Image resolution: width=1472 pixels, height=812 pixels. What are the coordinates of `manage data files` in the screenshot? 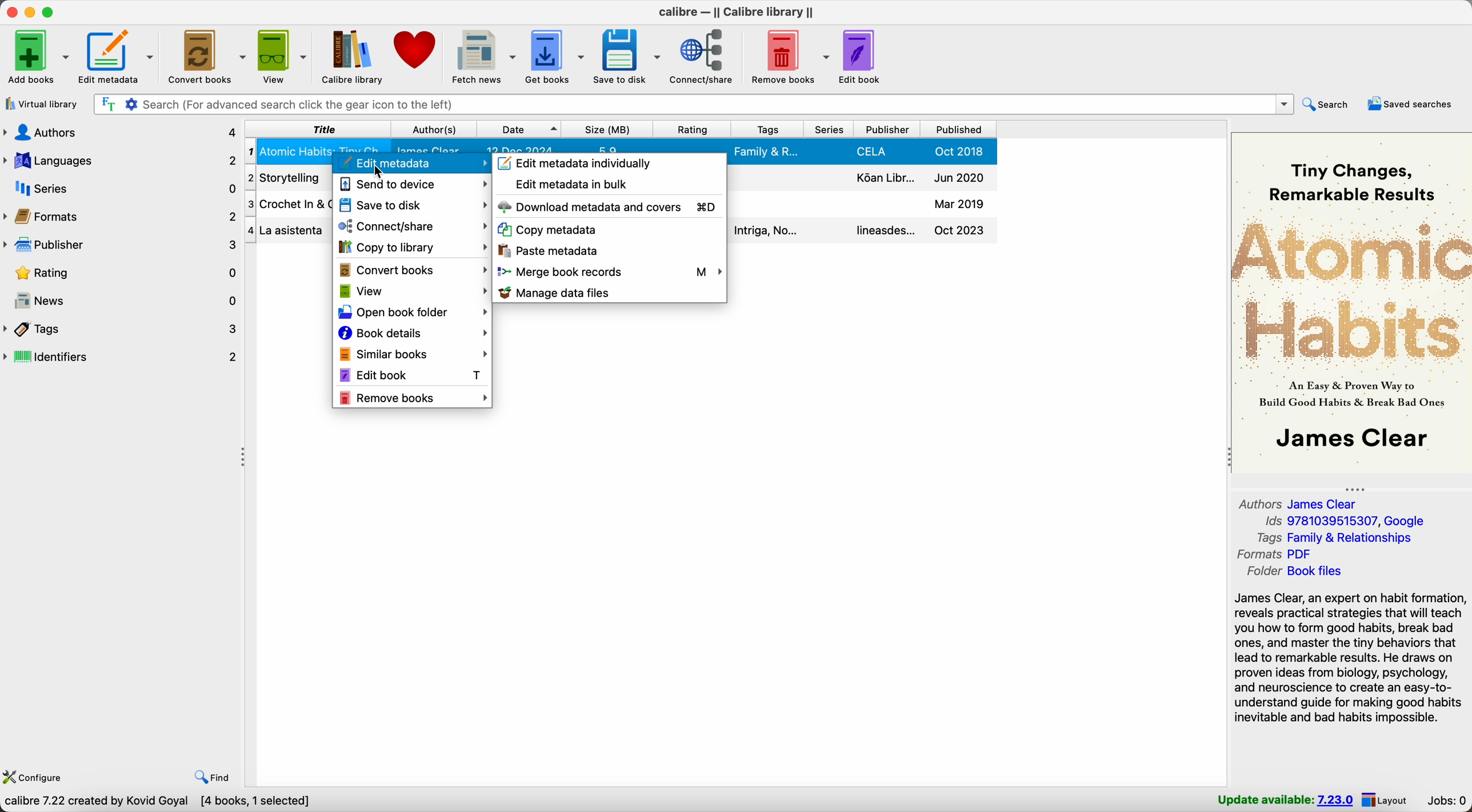 It's located at (562, 293).